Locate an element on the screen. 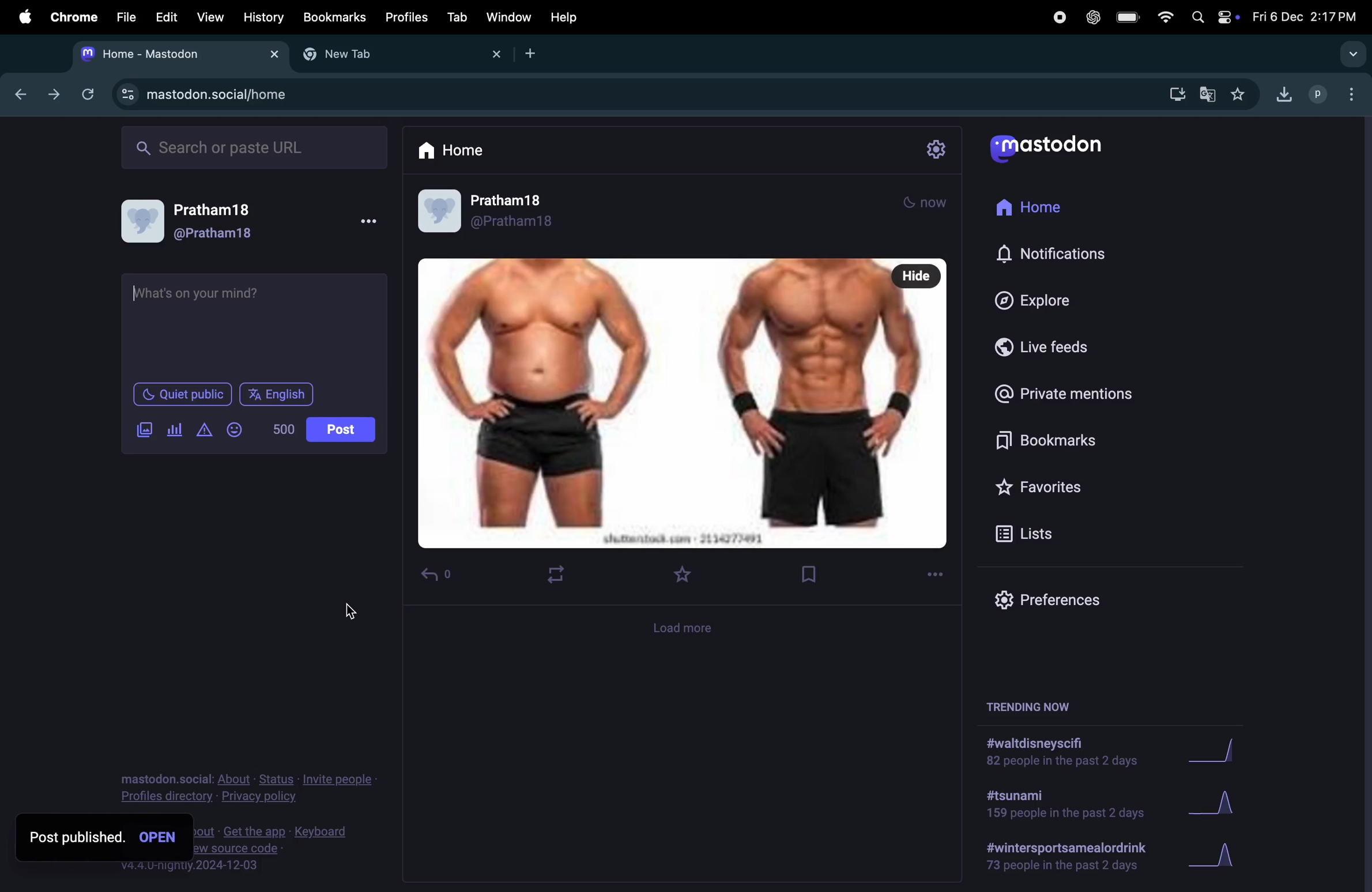 This screenshot has width=1372, height=892. drop down is located at coordinates (1355, 55).